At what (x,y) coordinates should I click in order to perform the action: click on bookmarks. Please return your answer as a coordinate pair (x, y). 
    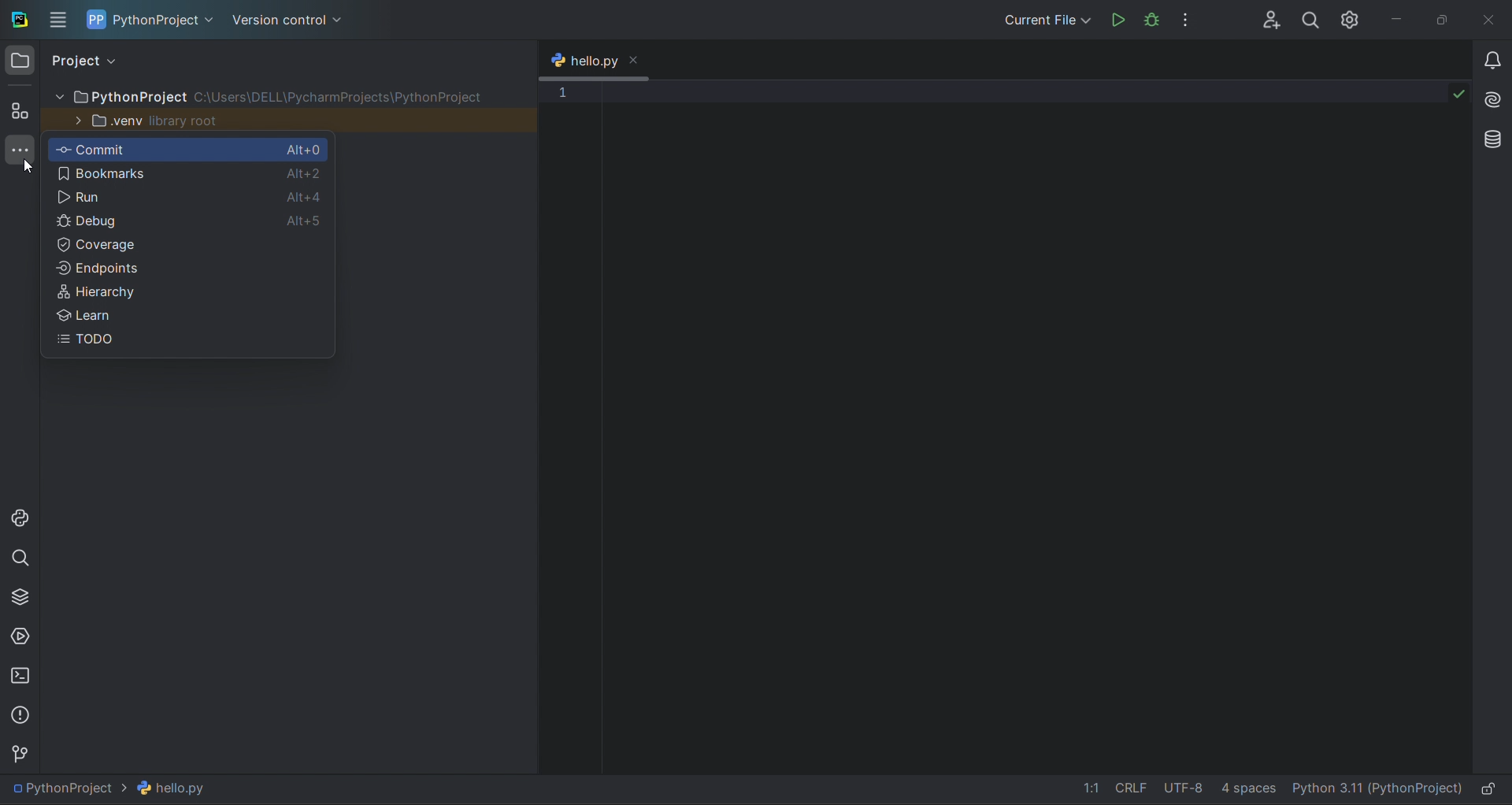
    Looking at the image, I should click on (153, 175).